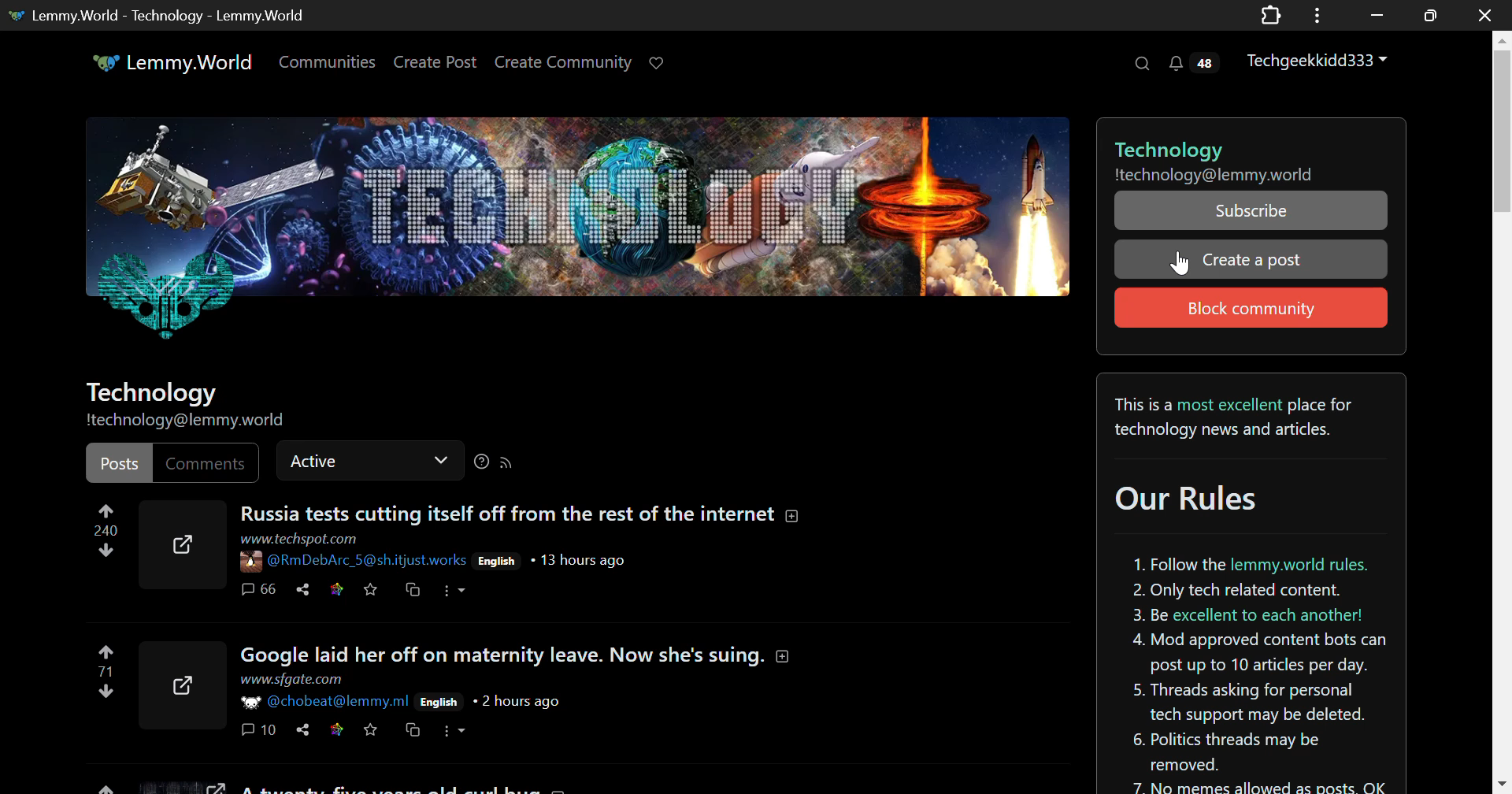  I want to click on @chobeat@lemmy.ml, so click(322, 703).